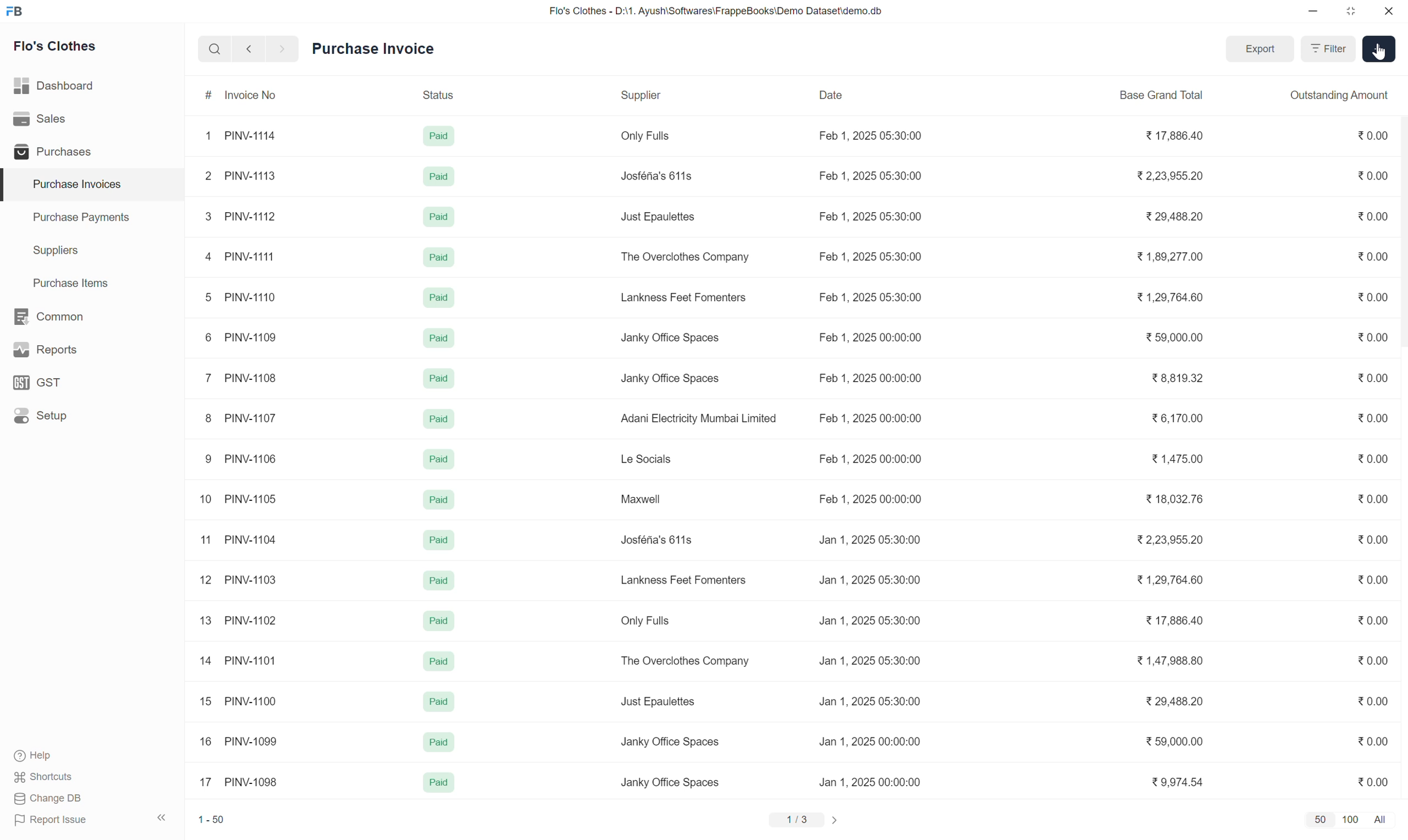  I want to click on Paid, so click(439, 258).